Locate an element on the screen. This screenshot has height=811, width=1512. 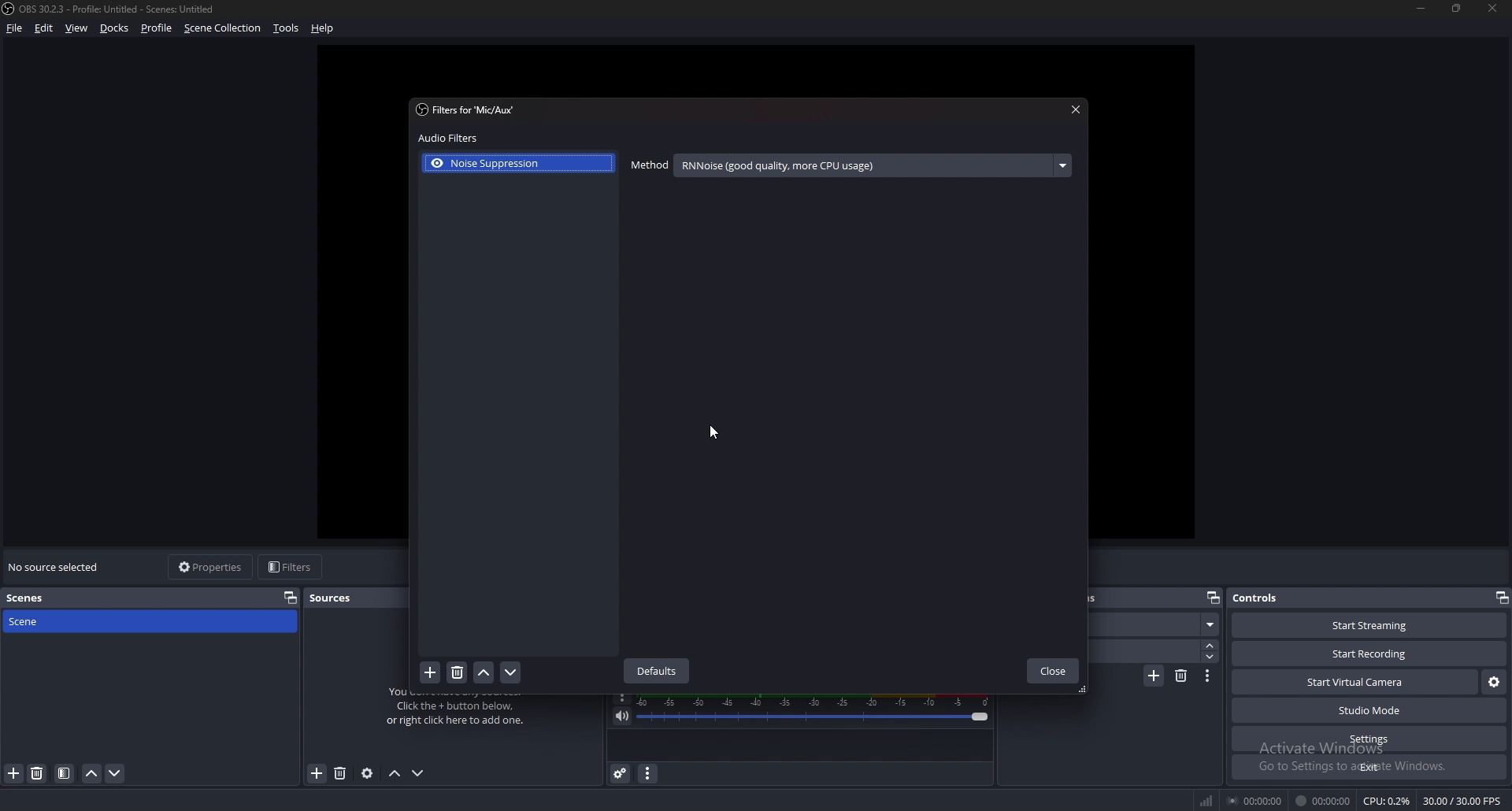
minimize is located at coordinates (1421, 9).